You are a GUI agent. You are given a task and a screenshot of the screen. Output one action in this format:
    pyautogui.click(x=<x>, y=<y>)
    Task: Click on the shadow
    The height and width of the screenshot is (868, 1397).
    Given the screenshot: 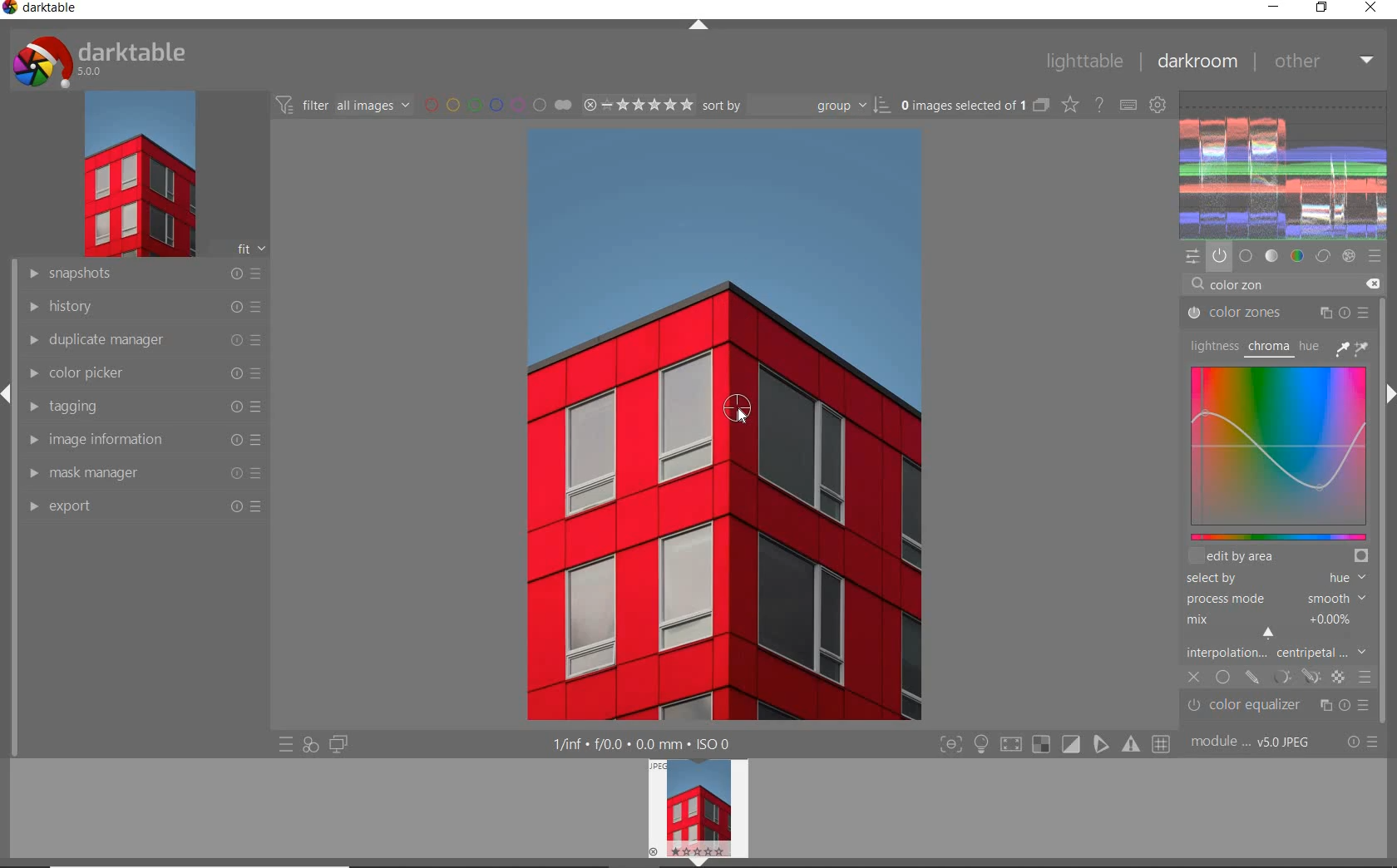 What is the action you would take?
    pyautogui.click(x=1009, y=745)
    